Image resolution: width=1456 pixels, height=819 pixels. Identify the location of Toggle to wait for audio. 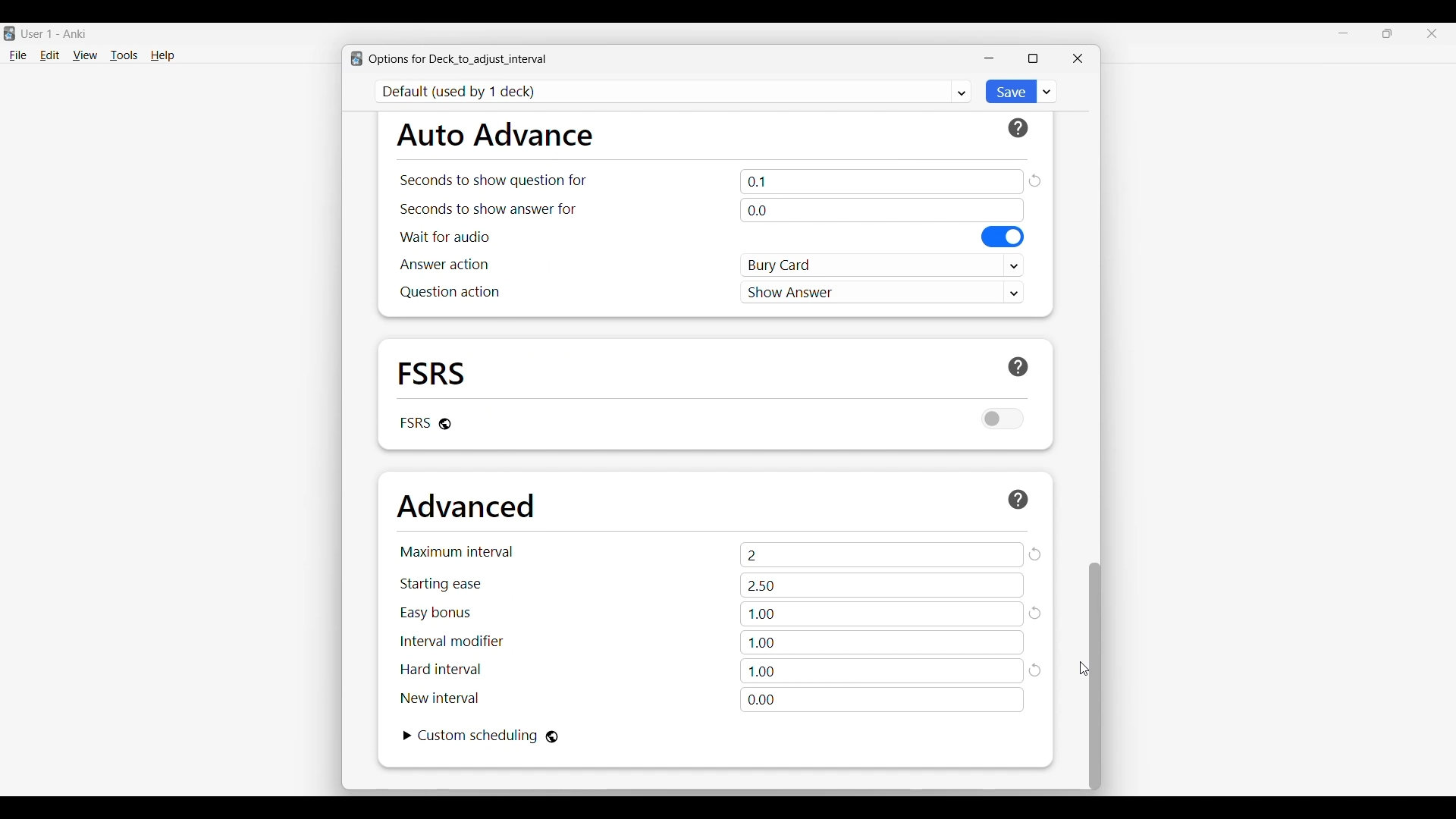
(1003, 237).